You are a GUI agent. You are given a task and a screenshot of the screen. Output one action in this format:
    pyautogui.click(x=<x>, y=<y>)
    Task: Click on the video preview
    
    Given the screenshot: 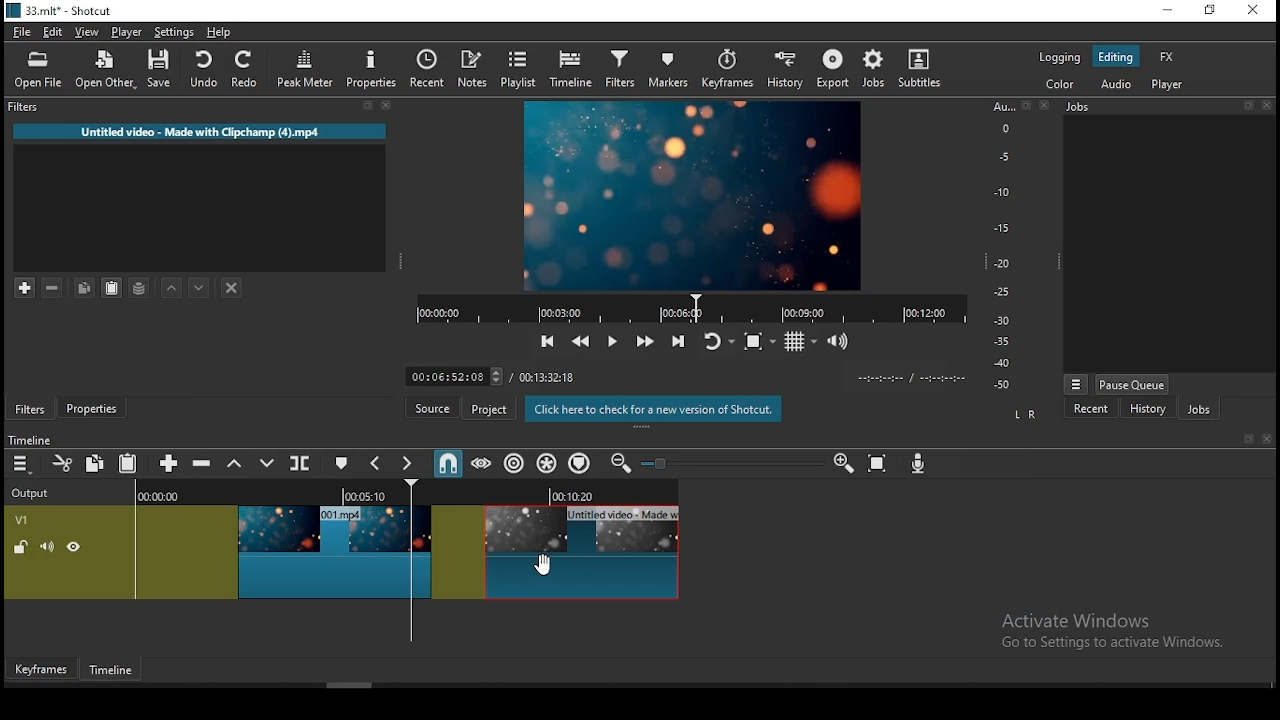 What is the action you would take?
    pyautogui.click(x=695, y=197)
    